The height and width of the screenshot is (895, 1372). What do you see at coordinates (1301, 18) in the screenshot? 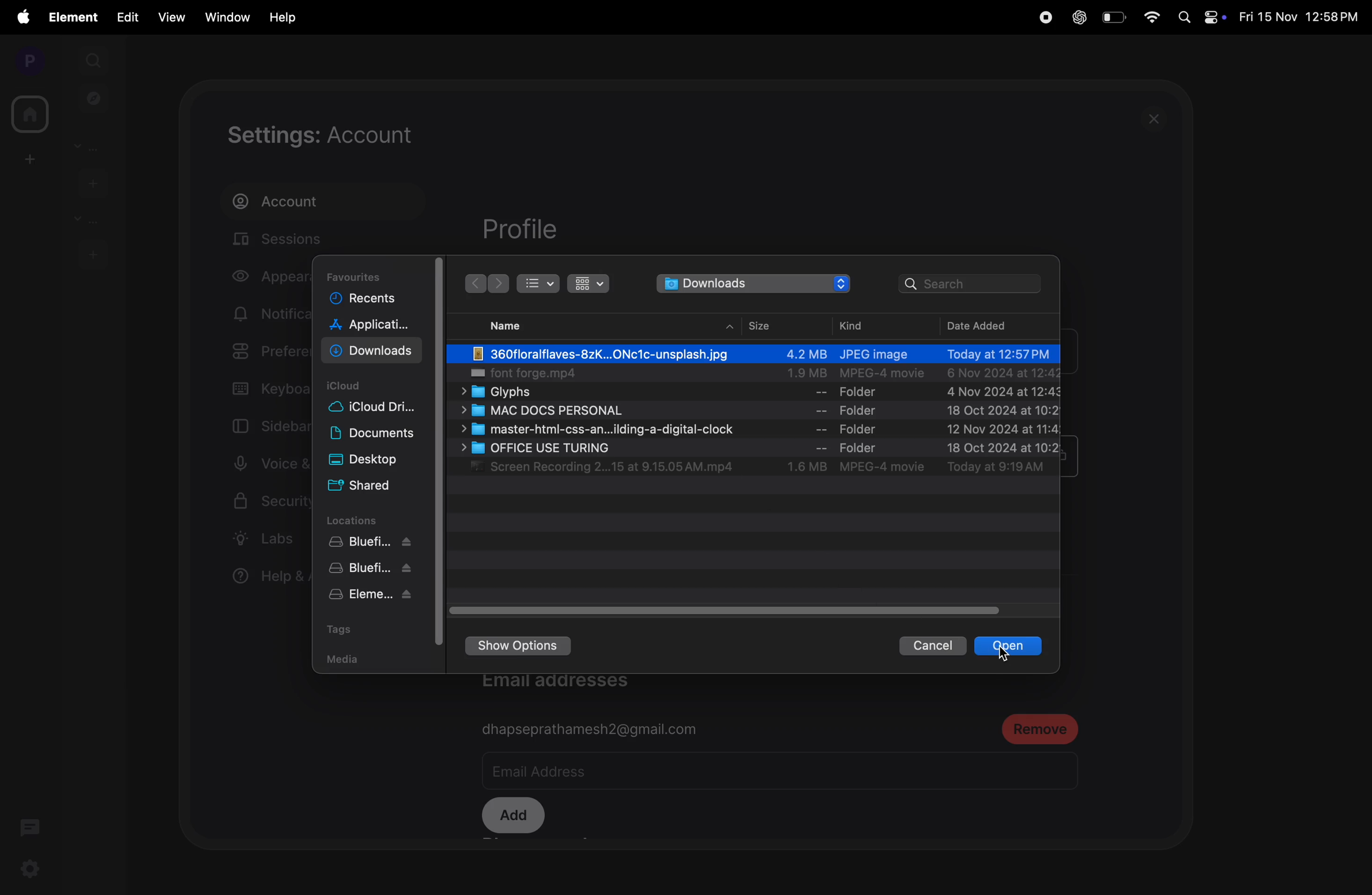
I see `date and time` at bounding box center [1301, 18].